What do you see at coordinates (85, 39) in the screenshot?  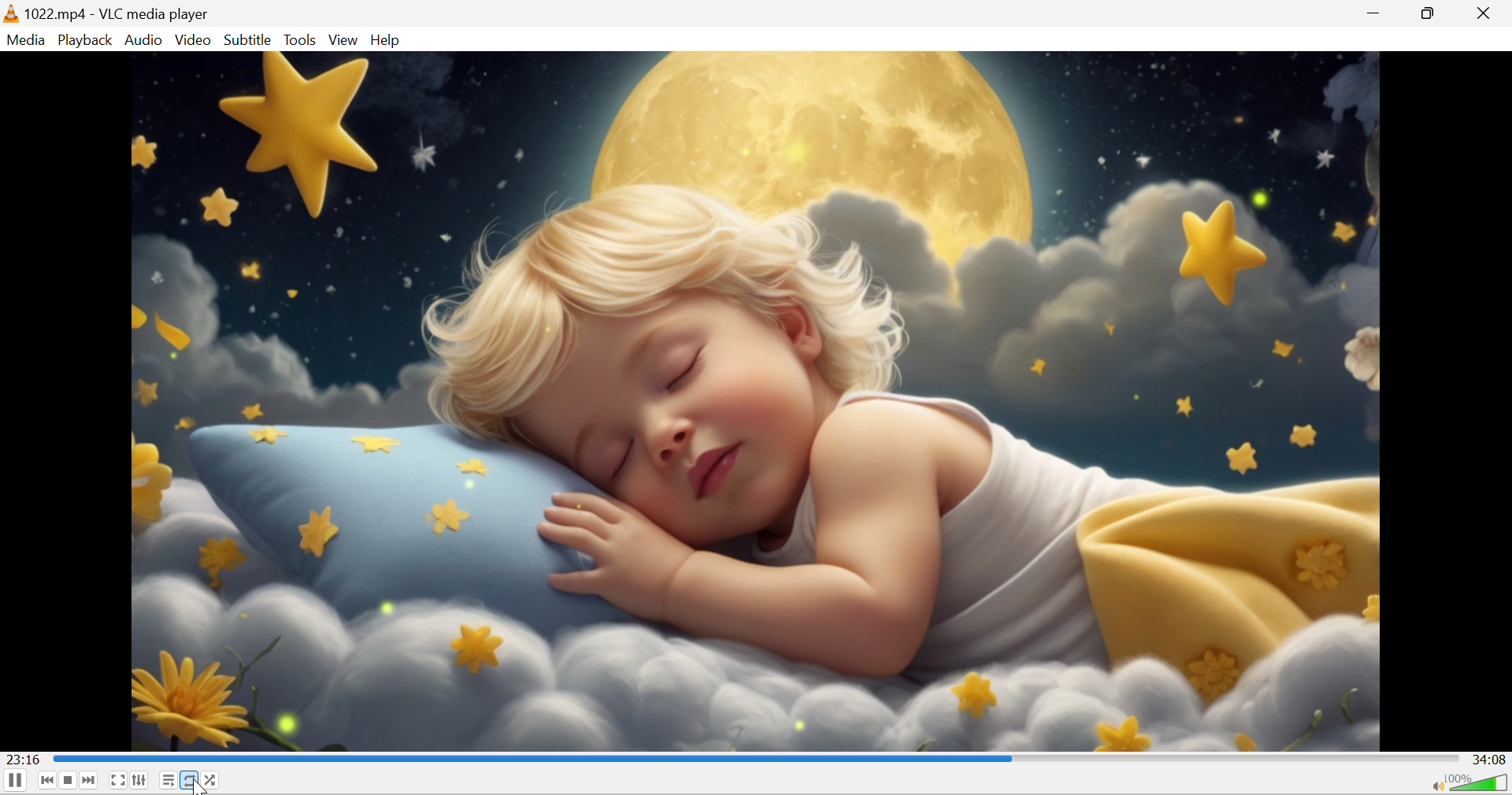 I see `Playback` at bounding box center [85, 39].